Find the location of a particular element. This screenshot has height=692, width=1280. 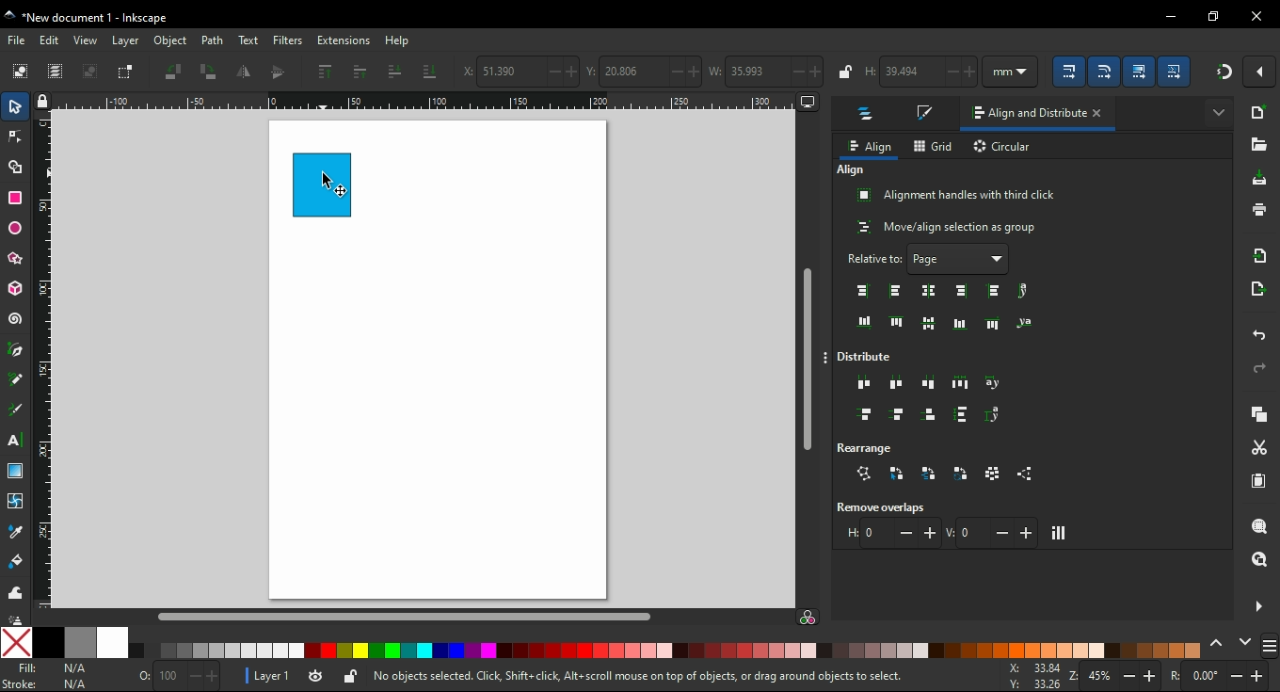

move patterns along with the object is located at coordinates (1176, 70).